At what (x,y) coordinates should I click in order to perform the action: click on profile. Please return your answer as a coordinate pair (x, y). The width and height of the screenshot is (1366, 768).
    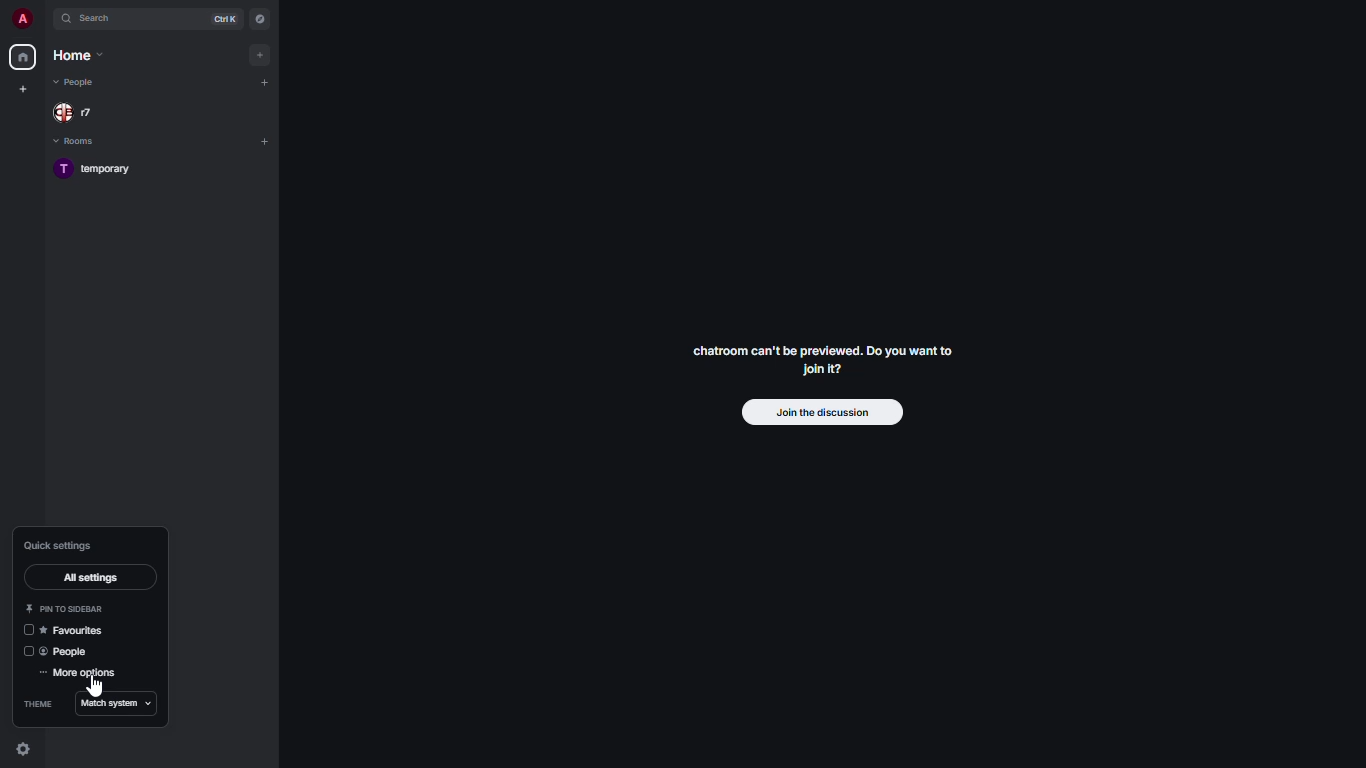
    Looking at the image, I should click on (22, 19).